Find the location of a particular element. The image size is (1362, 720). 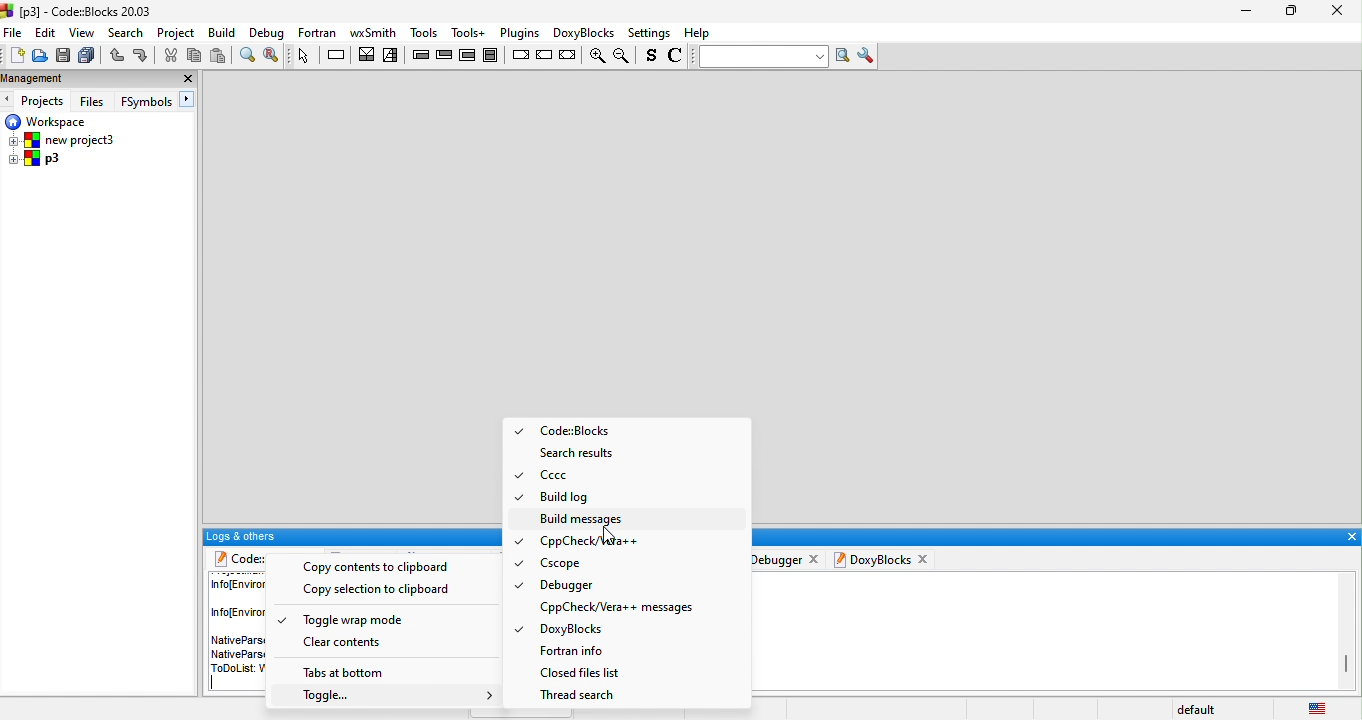

wxsmith is located at coordinates (372, 32).